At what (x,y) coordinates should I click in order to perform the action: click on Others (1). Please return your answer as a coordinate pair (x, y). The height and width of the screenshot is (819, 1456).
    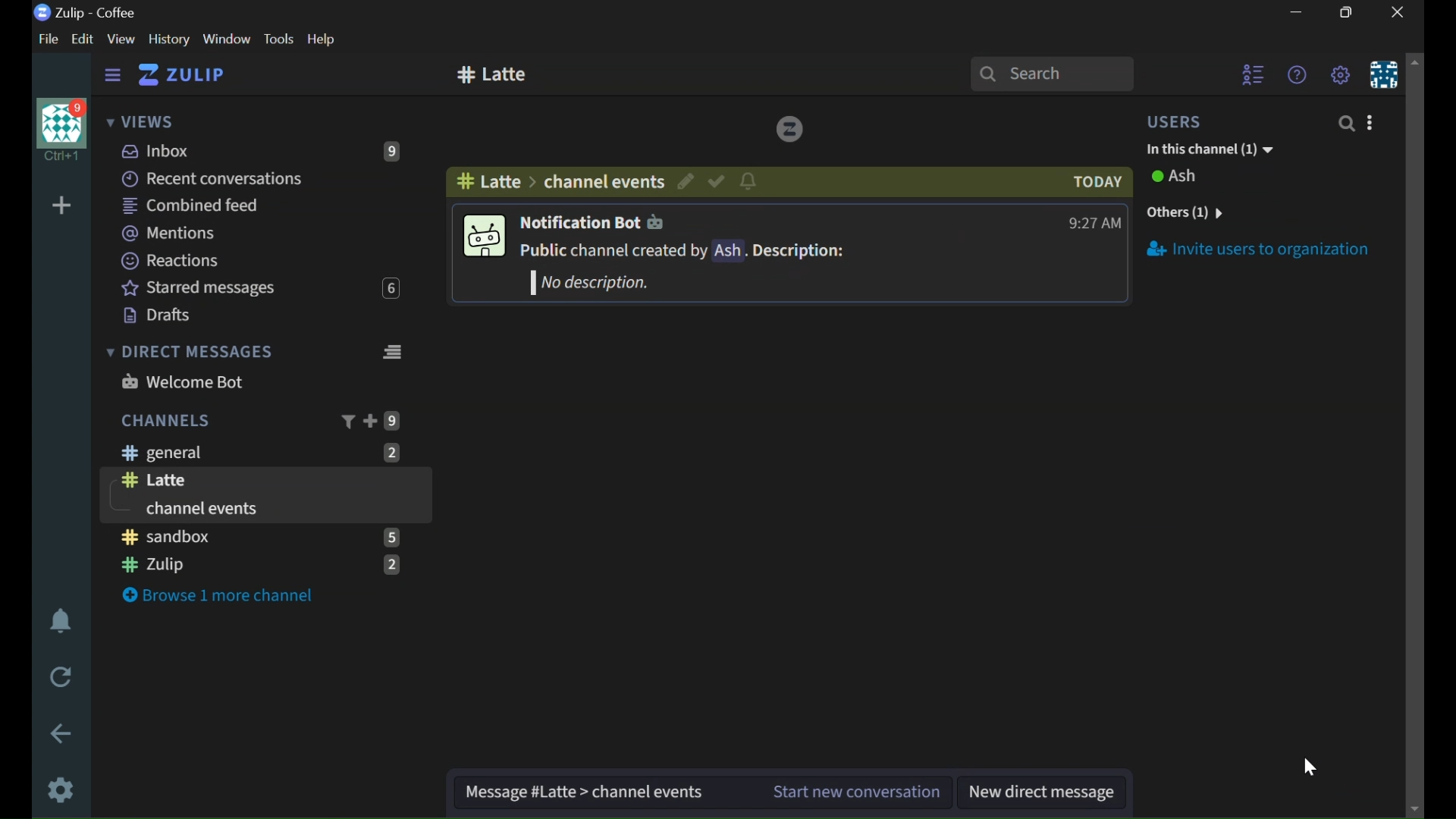
    Looking at the image, I should click on (1197, 213).